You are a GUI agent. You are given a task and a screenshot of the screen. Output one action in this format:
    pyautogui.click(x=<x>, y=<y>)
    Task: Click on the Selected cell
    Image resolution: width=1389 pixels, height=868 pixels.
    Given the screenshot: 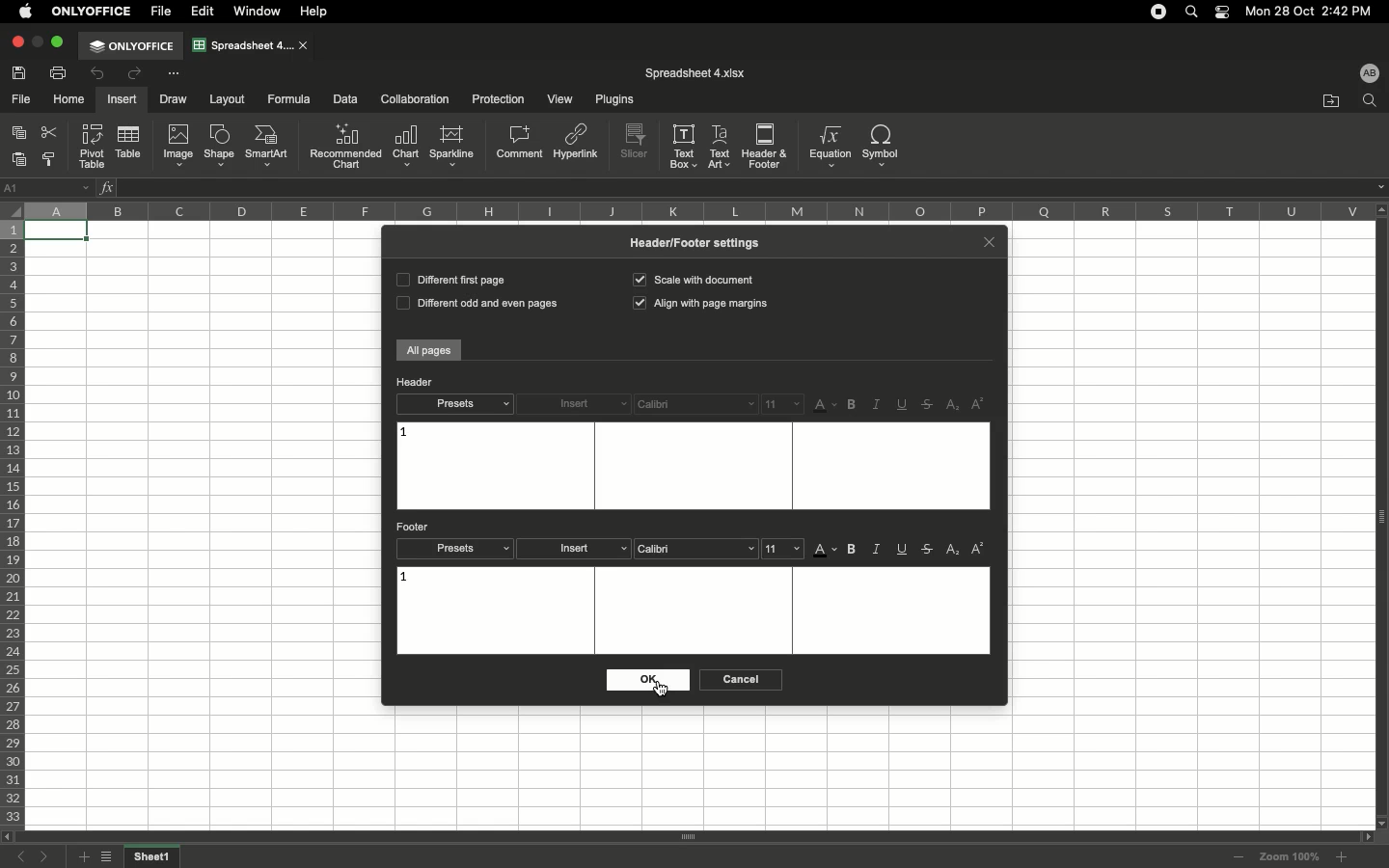 What is the action you would take?
    pyautogui.click(x=58, y=232)
    